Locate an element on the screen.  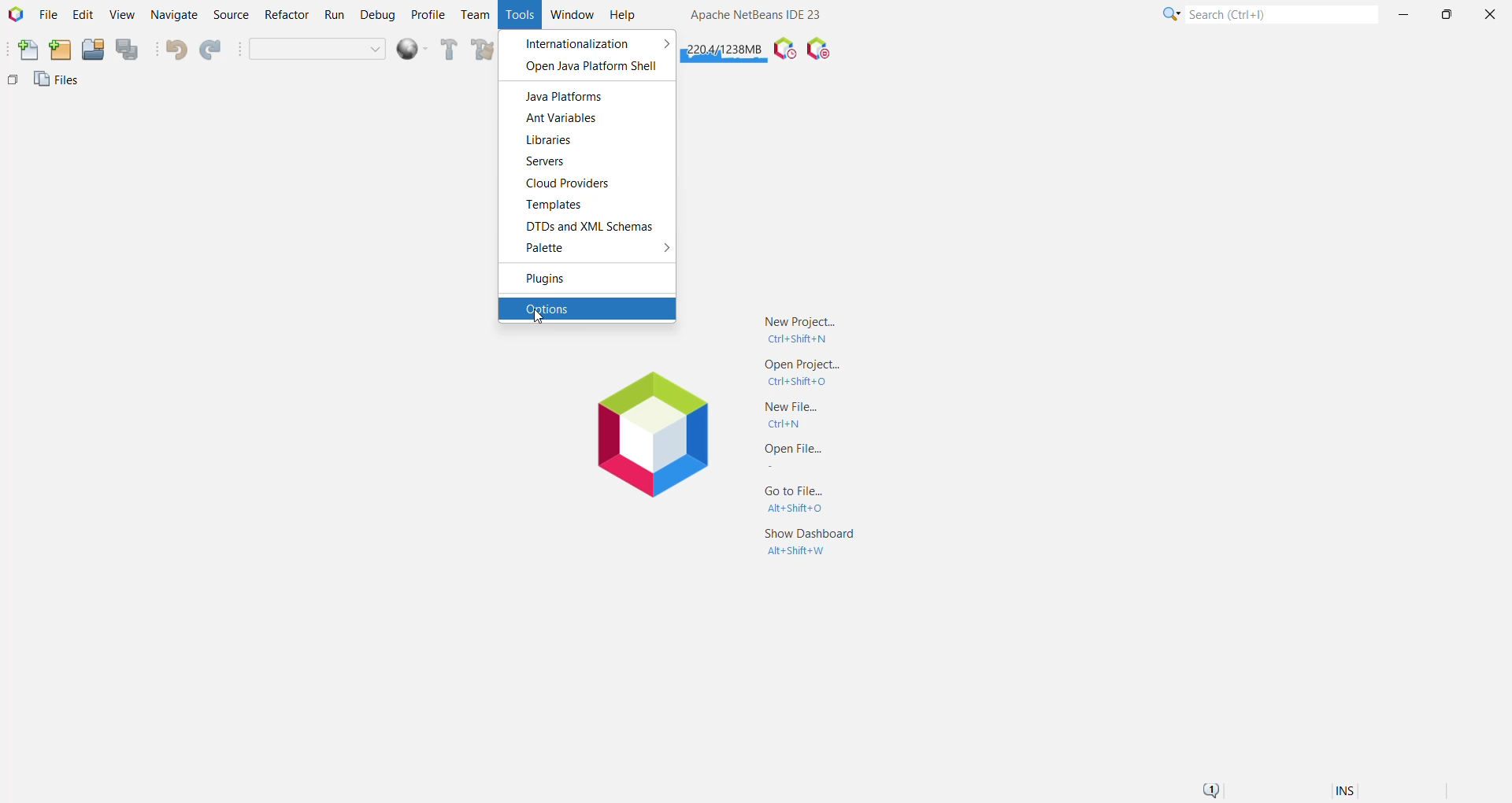
 is located at coordinates (412, 50).